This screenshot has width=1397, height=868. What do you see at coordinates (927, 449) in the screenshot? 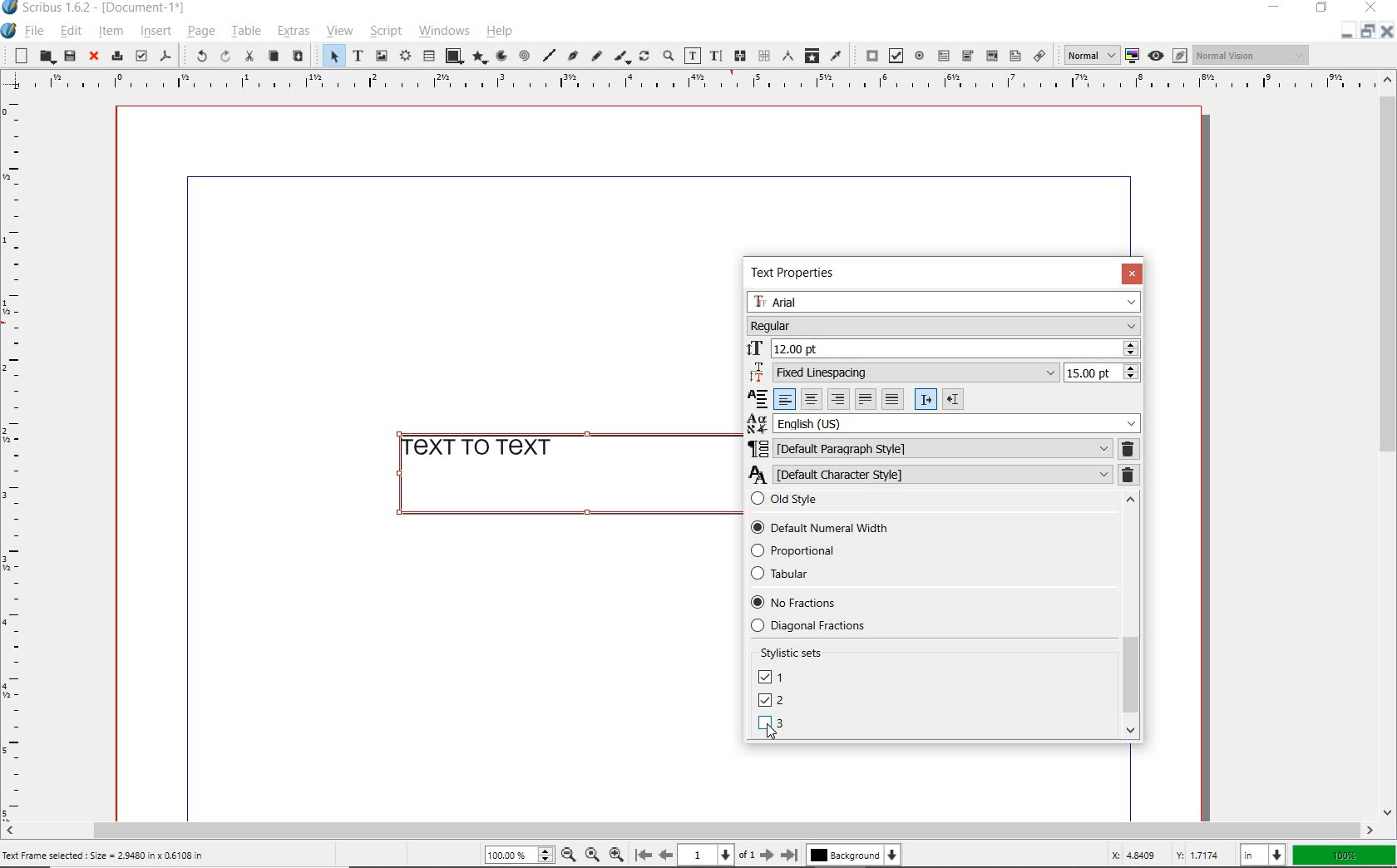
I see `DEFAULT PARAGRAPH STYLE` at bounding box center [927, 449].